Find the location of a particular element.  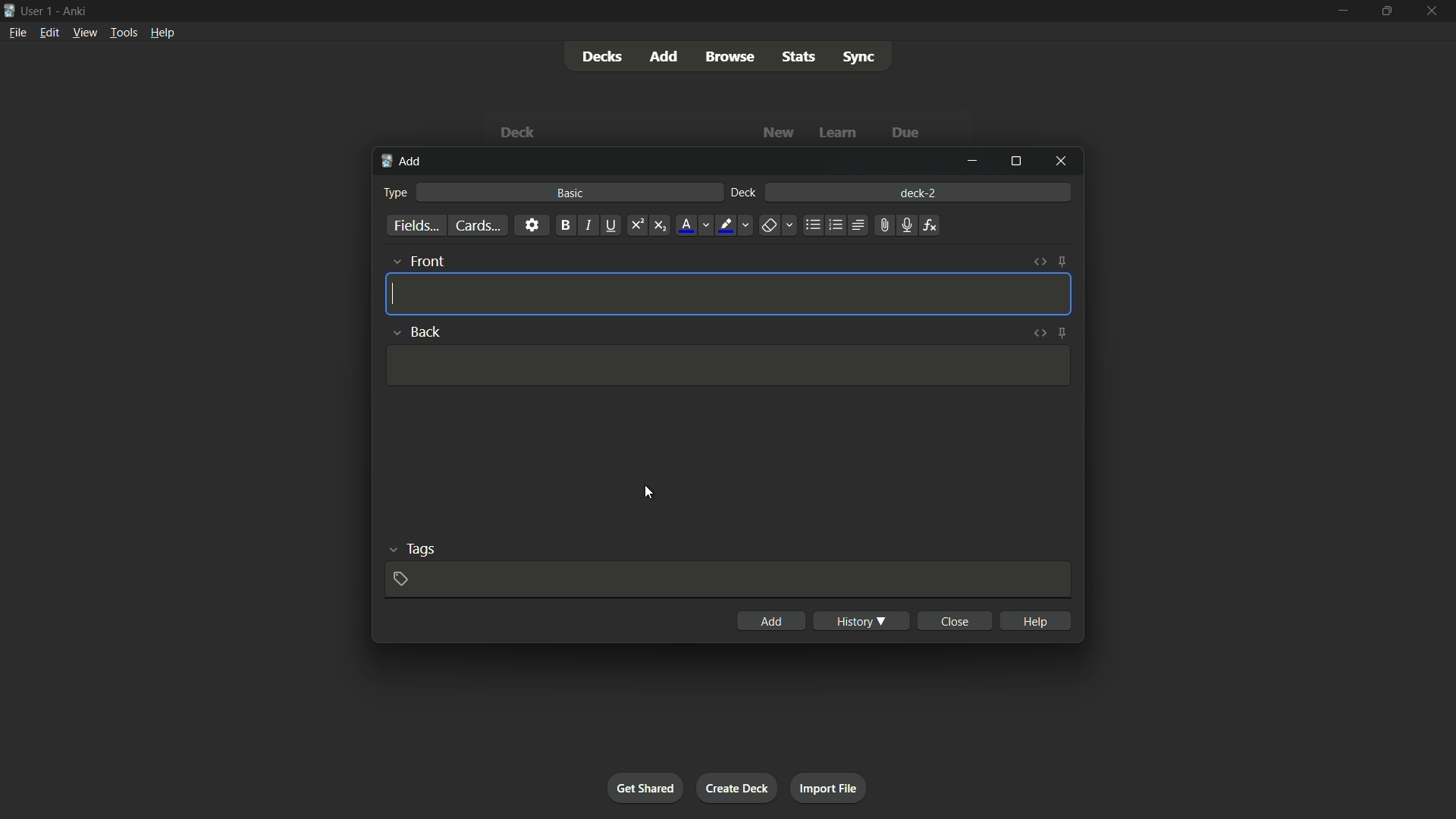

browse is located at coordinates (731, 57).